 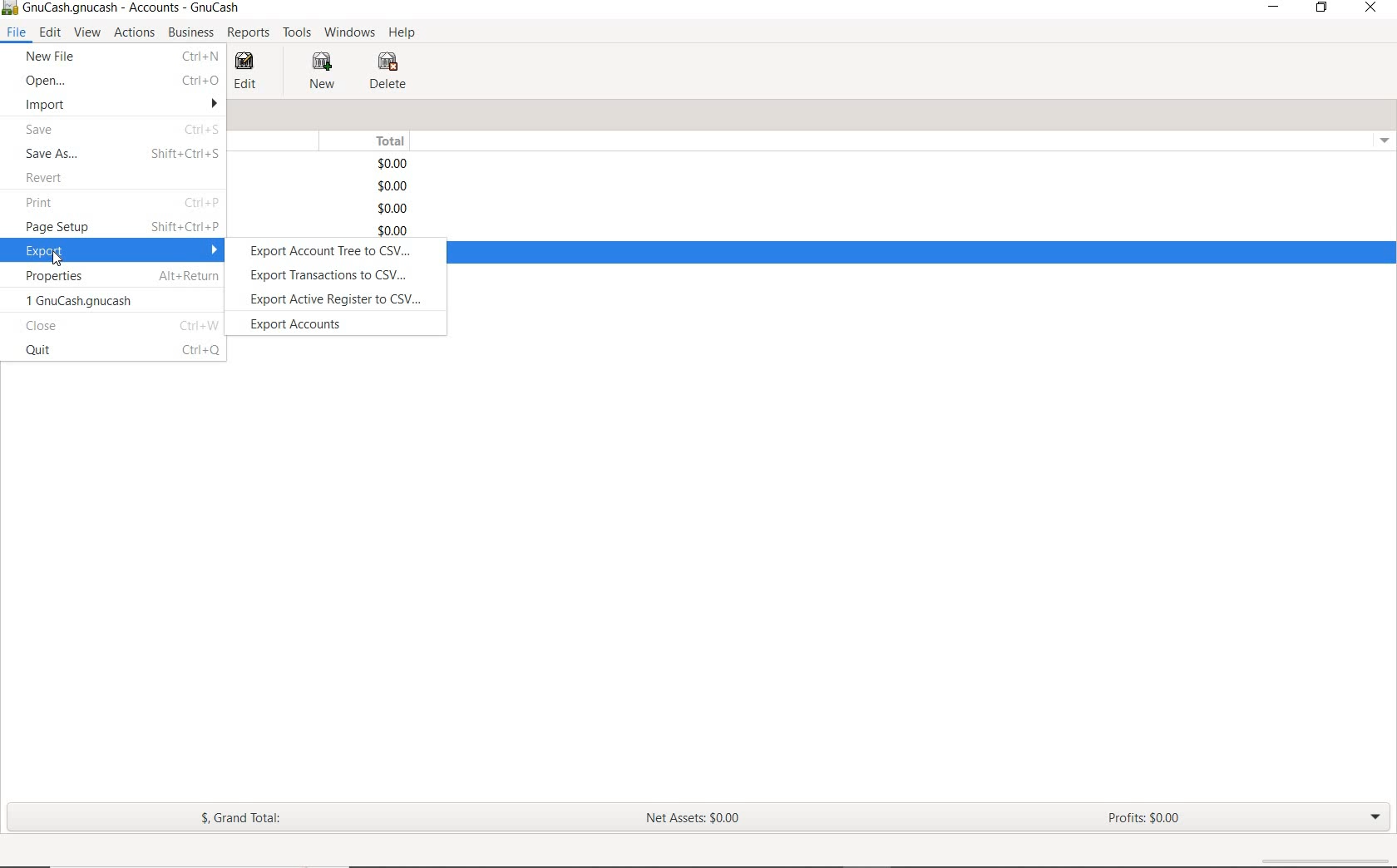 What do you see at coordinates (41, 253) in the screenshot?
I see `EXPORT` at bounding box center [41, 253].